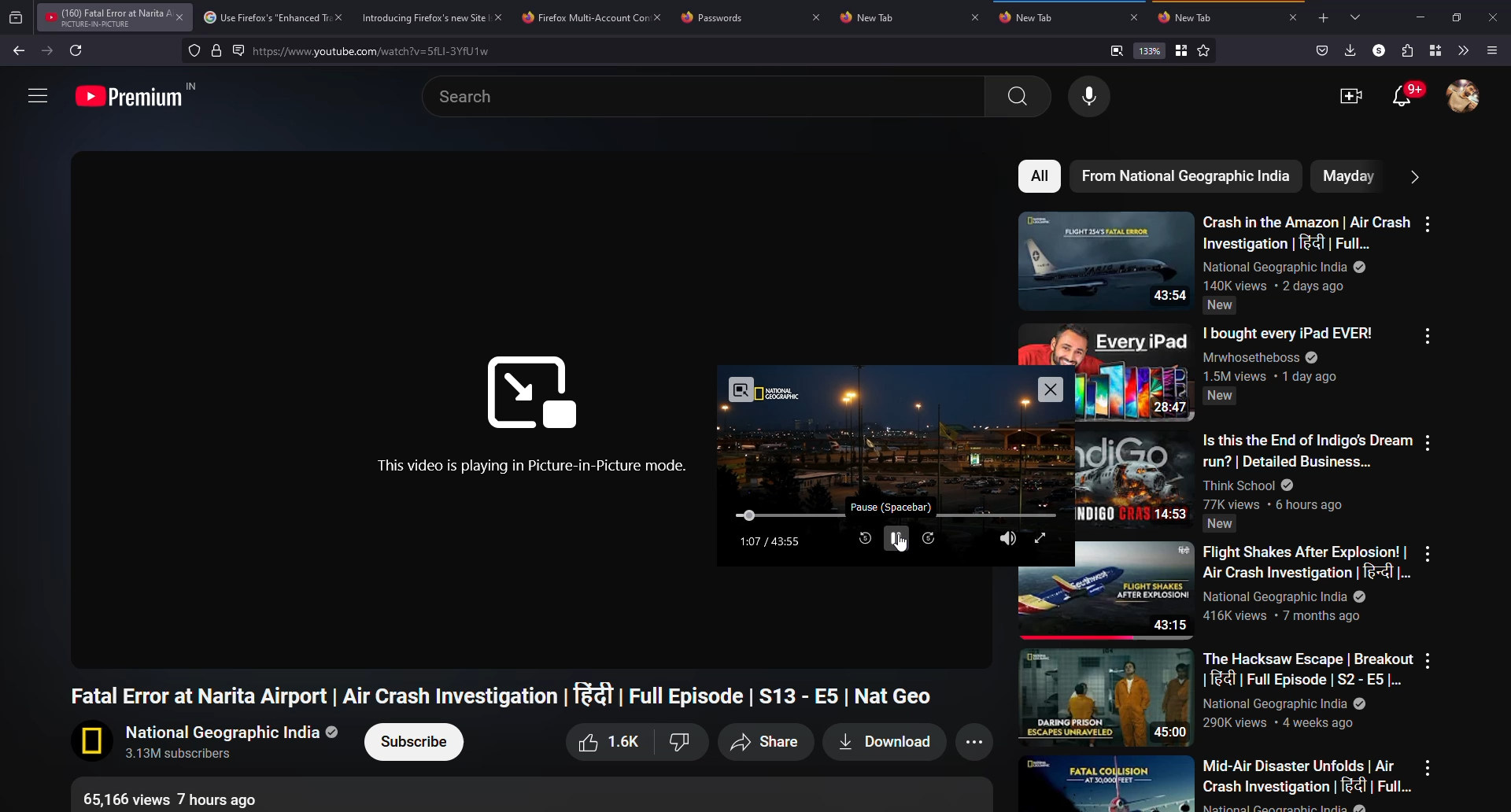 The height and width of the screenshot is (812, 1511). Describe the element at coordinates (1306, 583) in the screenshot. I see `video text description` at that location.